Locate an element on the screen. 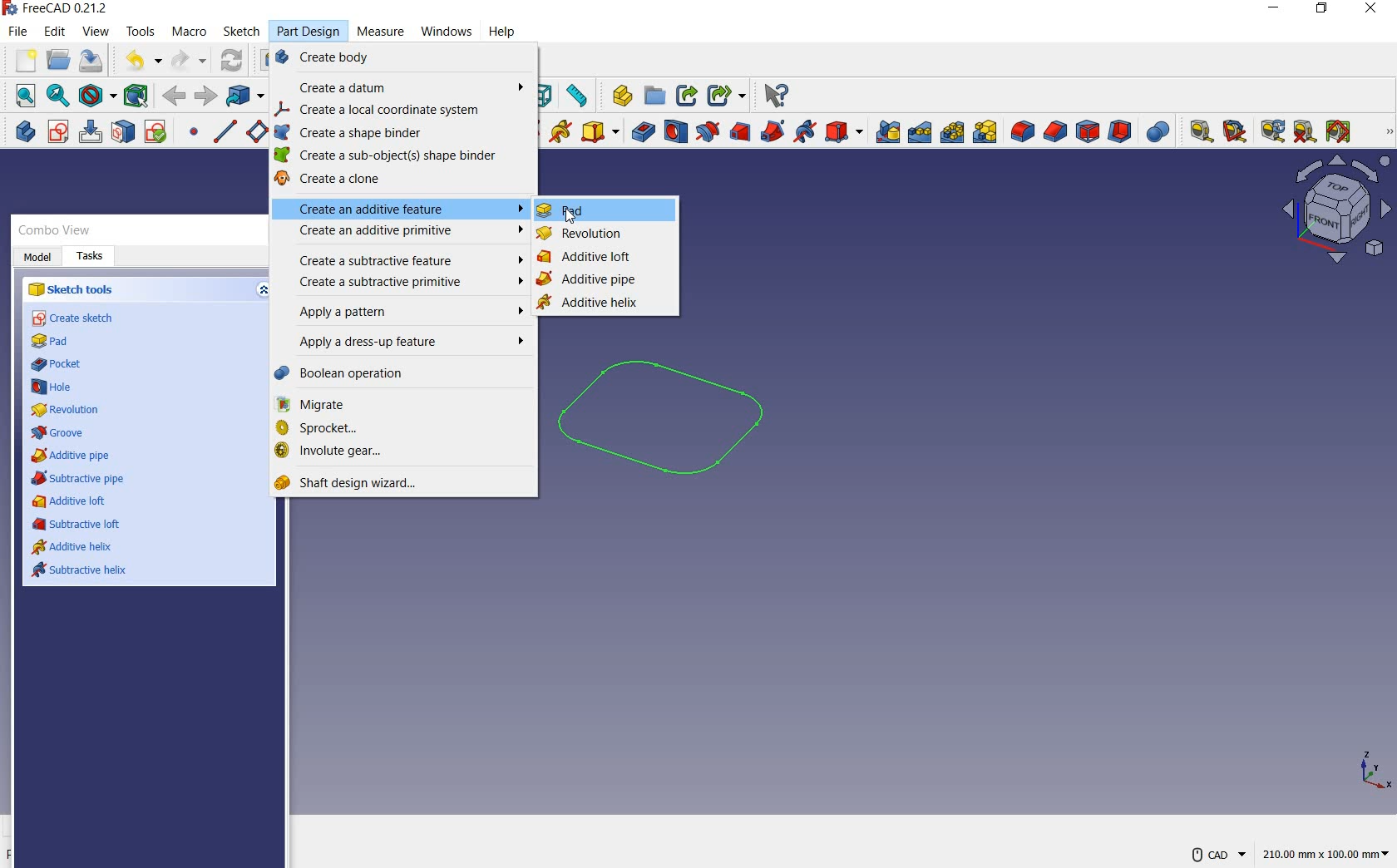  measure distance  is located at coordinates (579, 95).